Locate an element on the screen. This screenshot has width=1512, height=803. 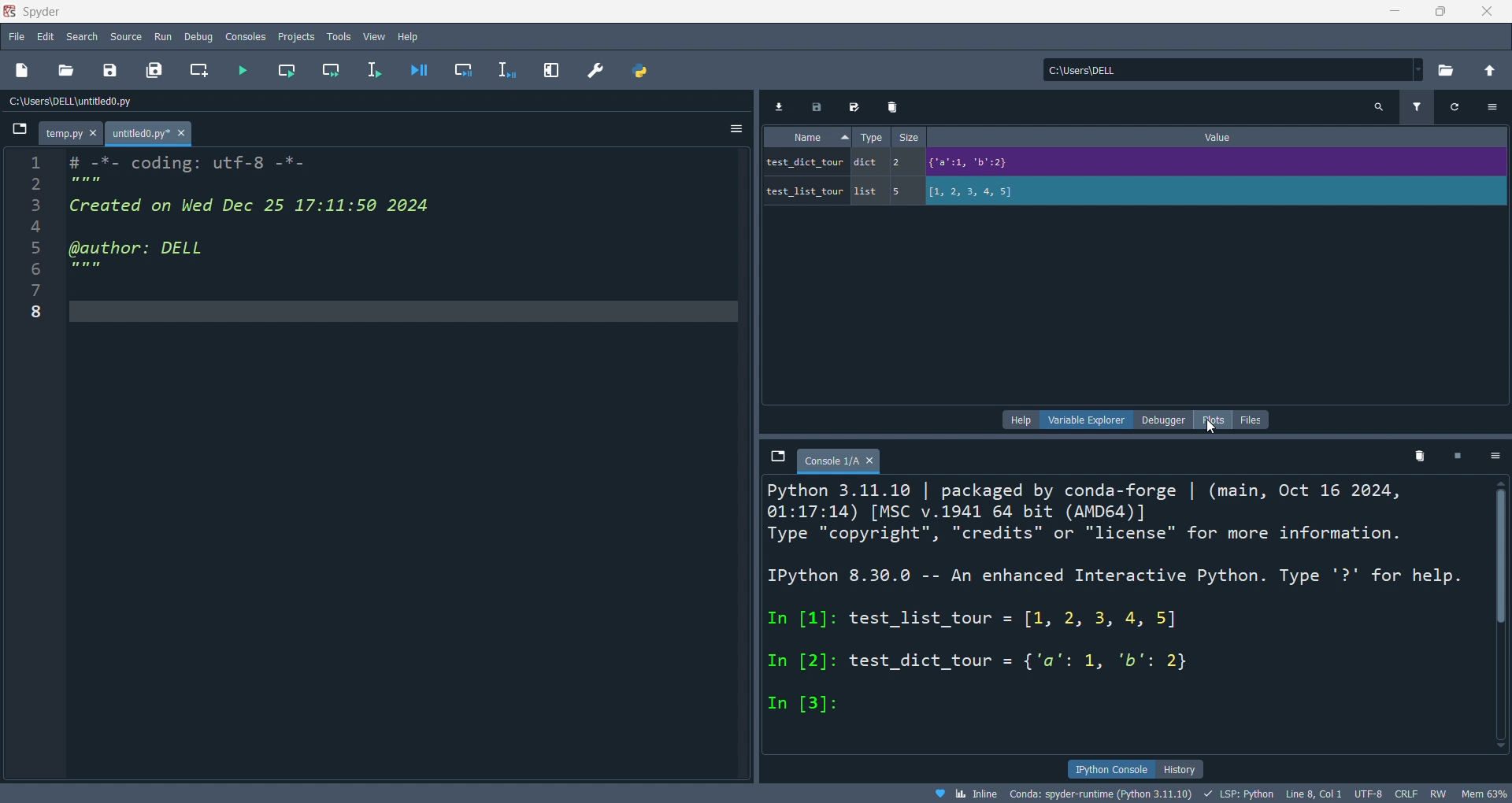
Console 1/A is located at coordinates (836, 461).